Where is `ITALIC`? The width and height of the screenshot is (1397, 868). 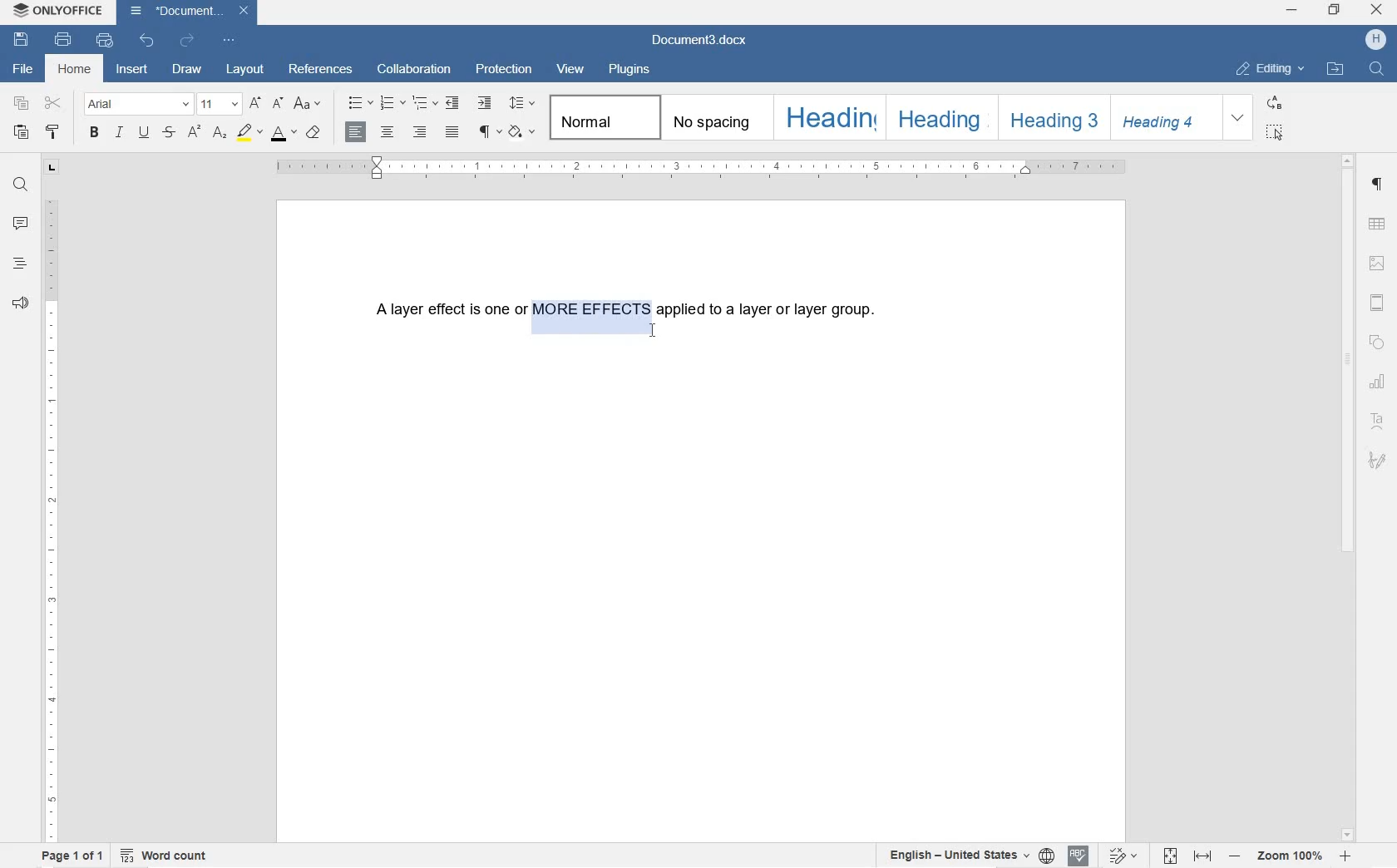
ITALIC is located at coordinates (121, 133).